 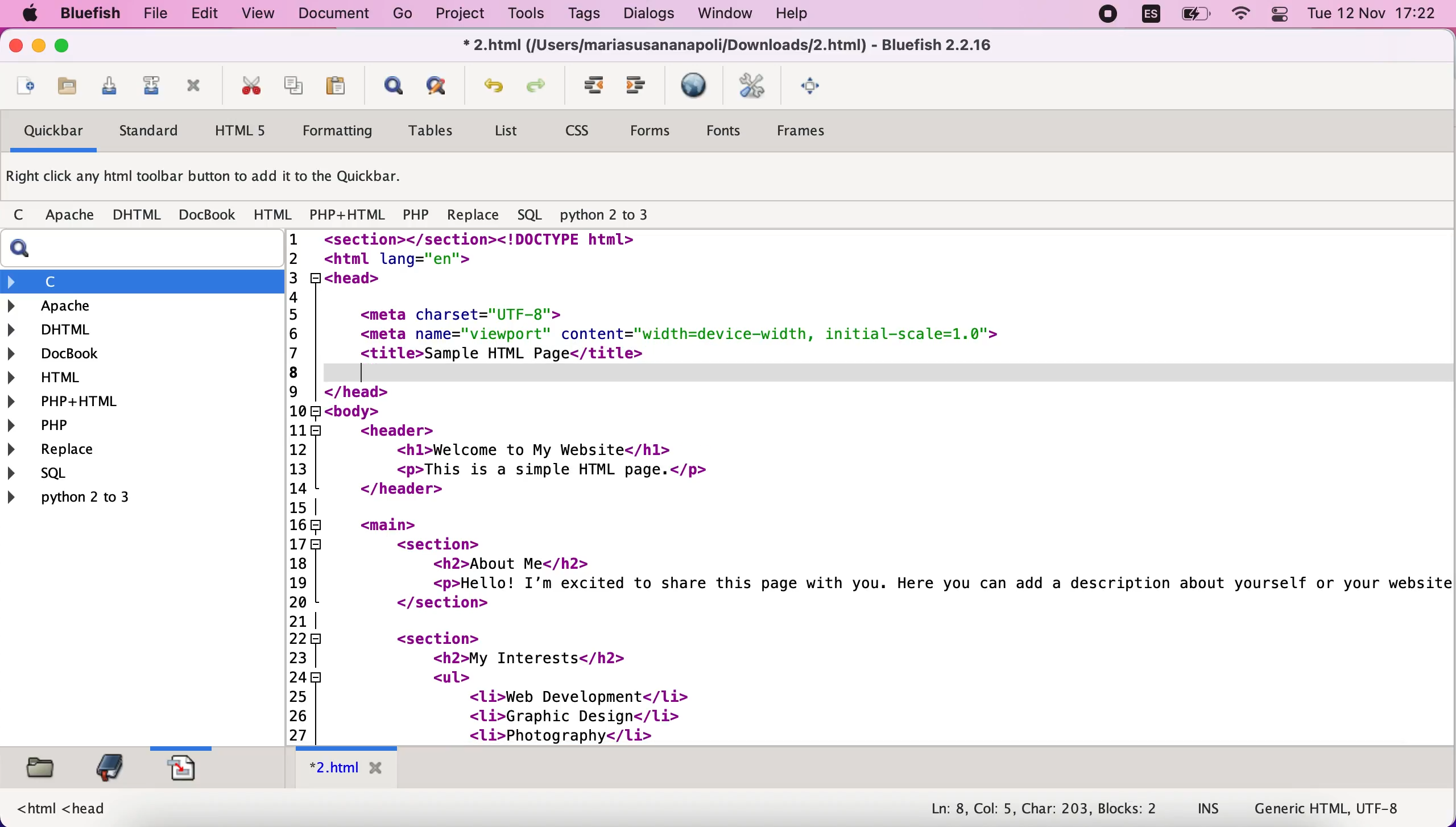 I want to click on battery, so click(x=1192, y=18).